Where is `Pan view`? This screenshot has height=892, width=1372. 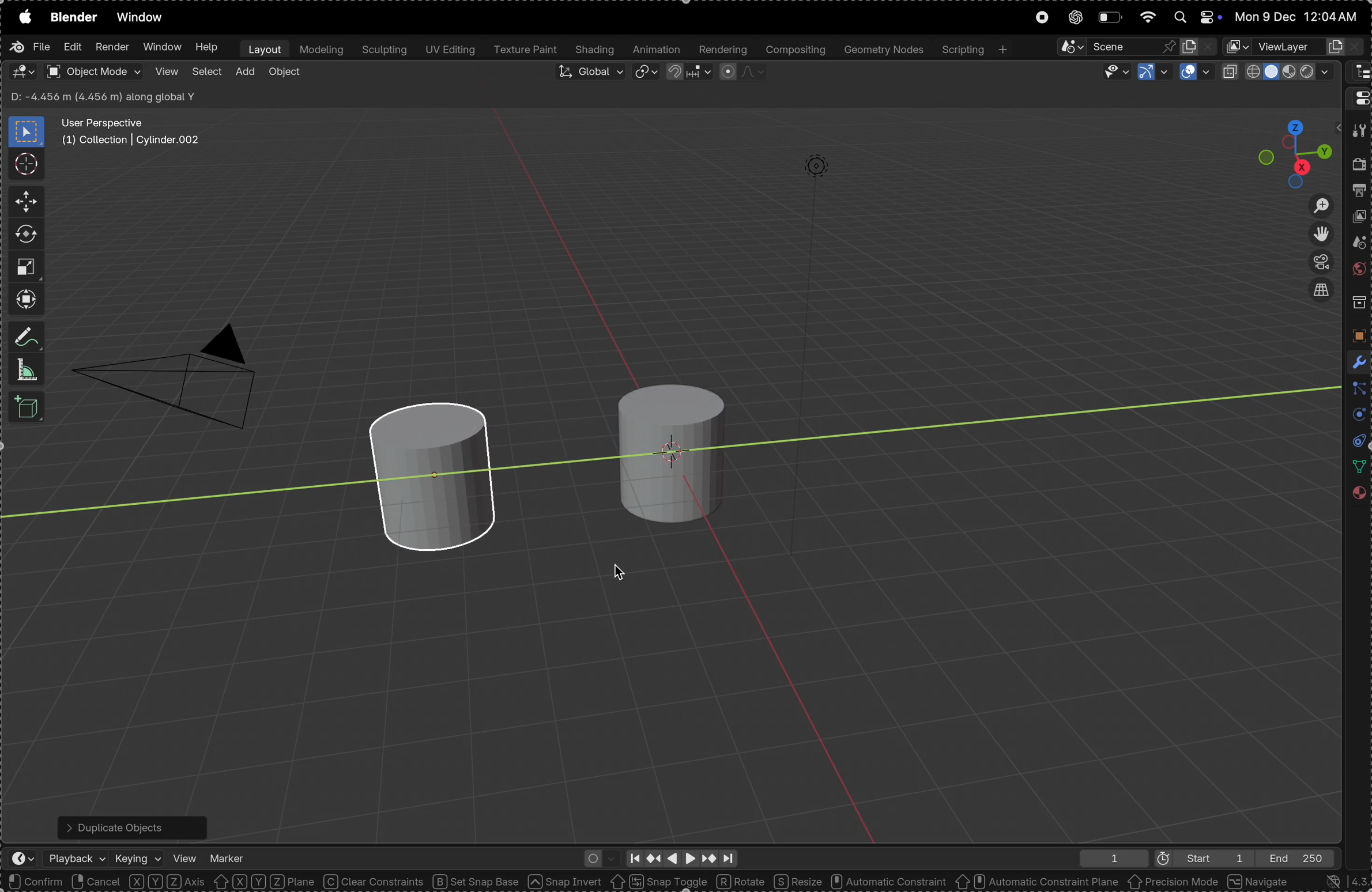 Pan view is located at coordinates (138, 882).